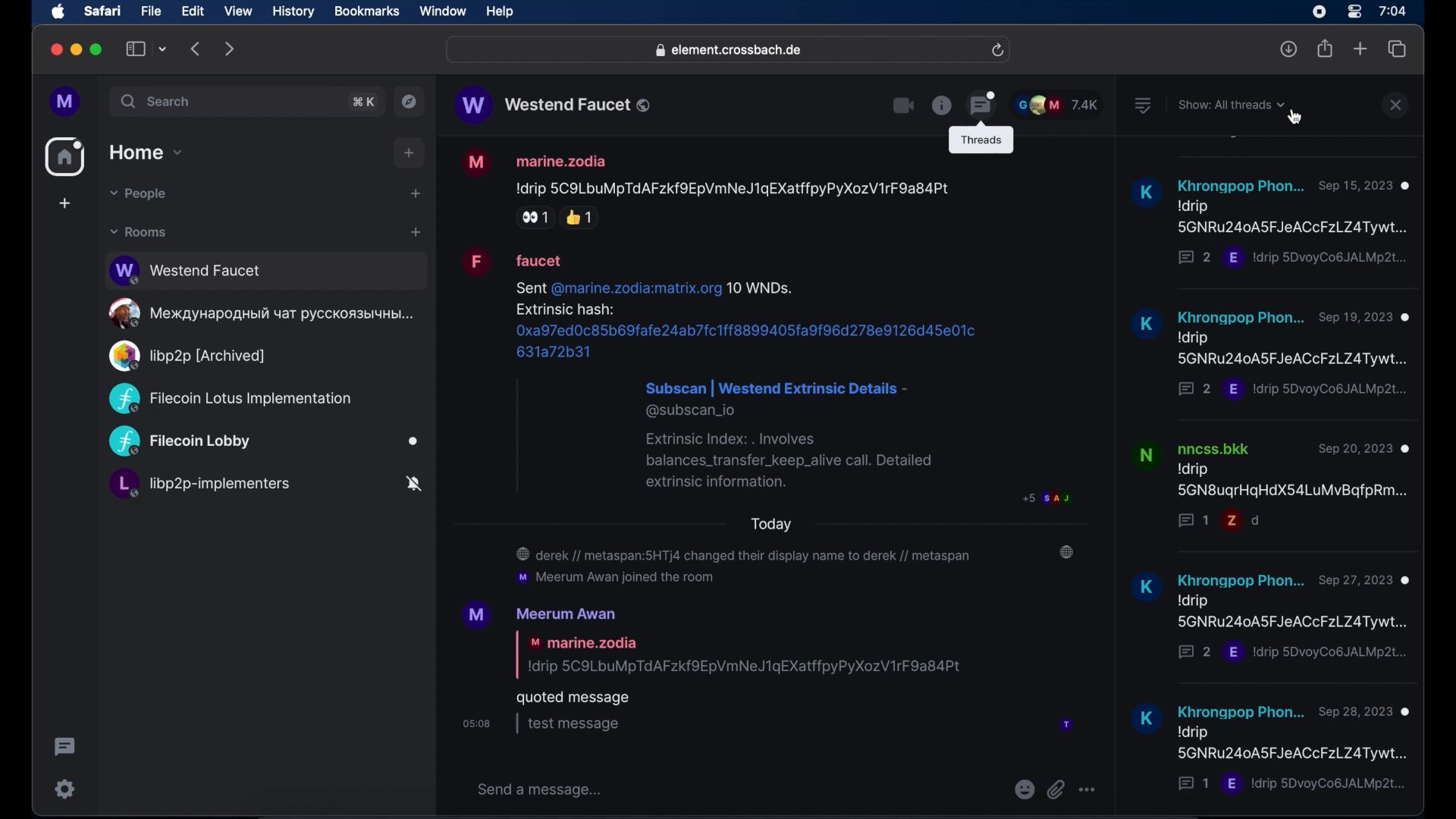 The image size is (1456, 819). Describe the element at coordinates (1059, 500) in the screenshot. I see `p` at that location.